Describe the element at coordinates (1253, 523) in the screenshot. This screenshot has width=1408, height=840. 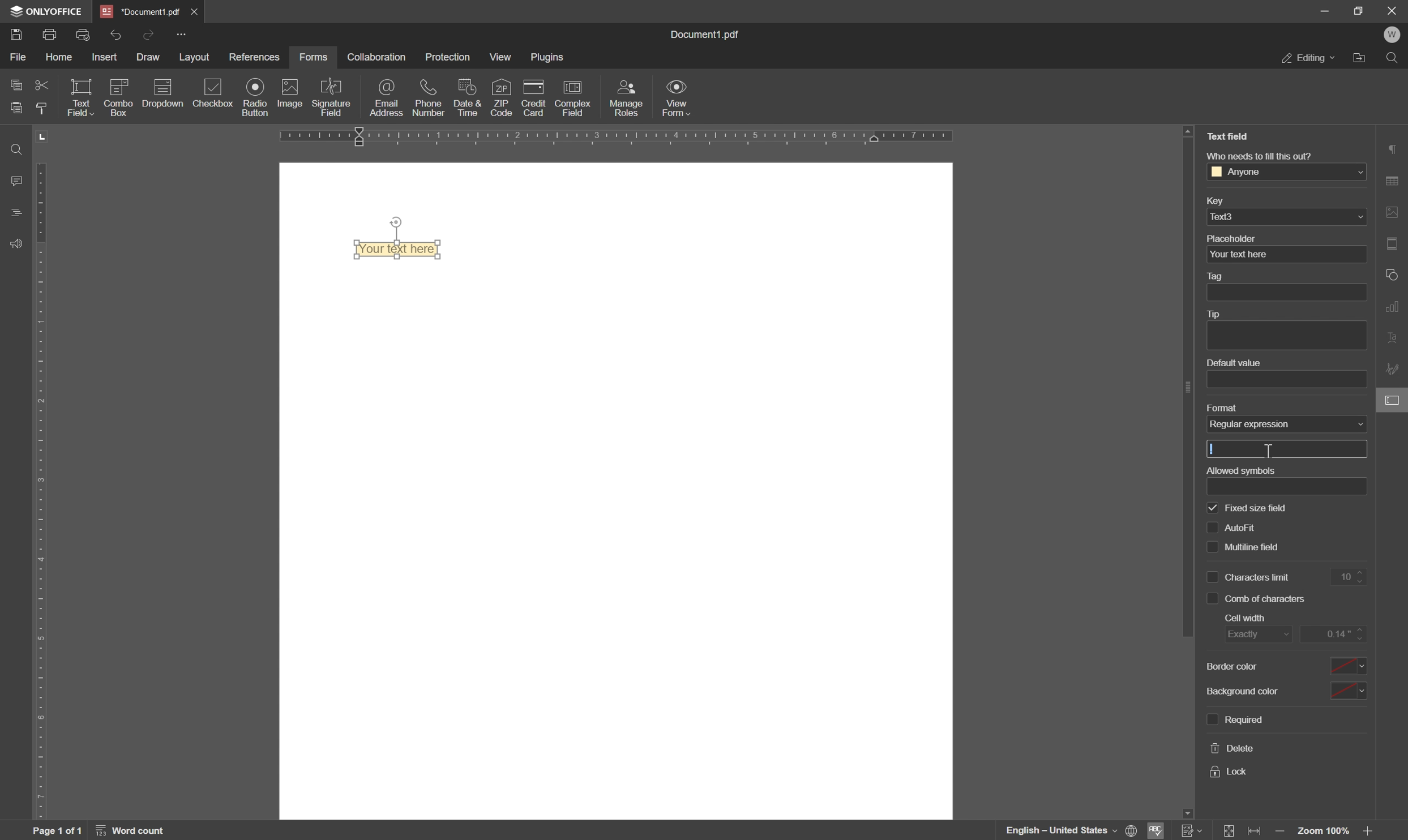
I see `multiline field` at that location.